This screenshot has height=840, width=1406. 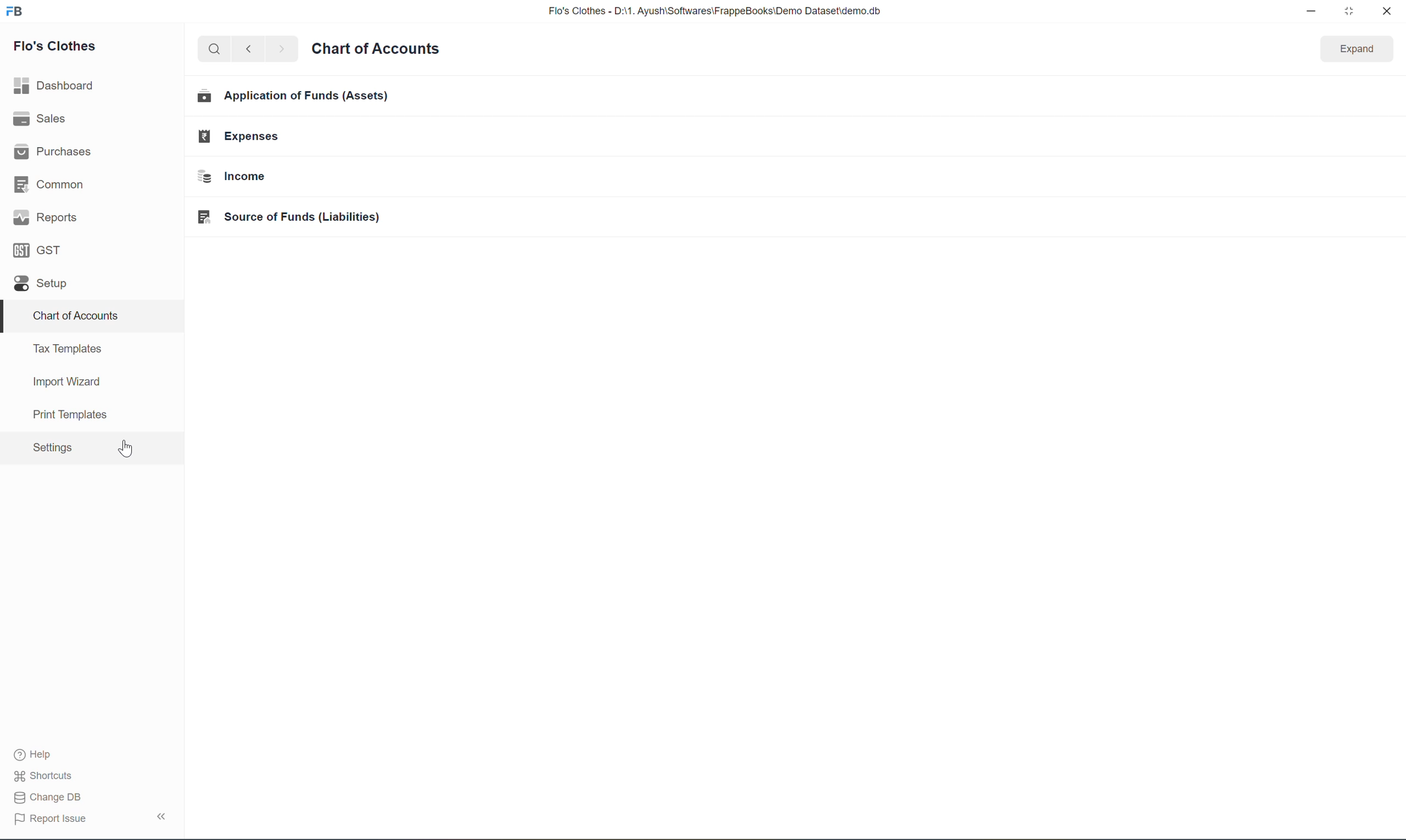 What do you see at coordinates (43, 119) in the screenshot?
I see `Sales` at bounding box center [43, 119].